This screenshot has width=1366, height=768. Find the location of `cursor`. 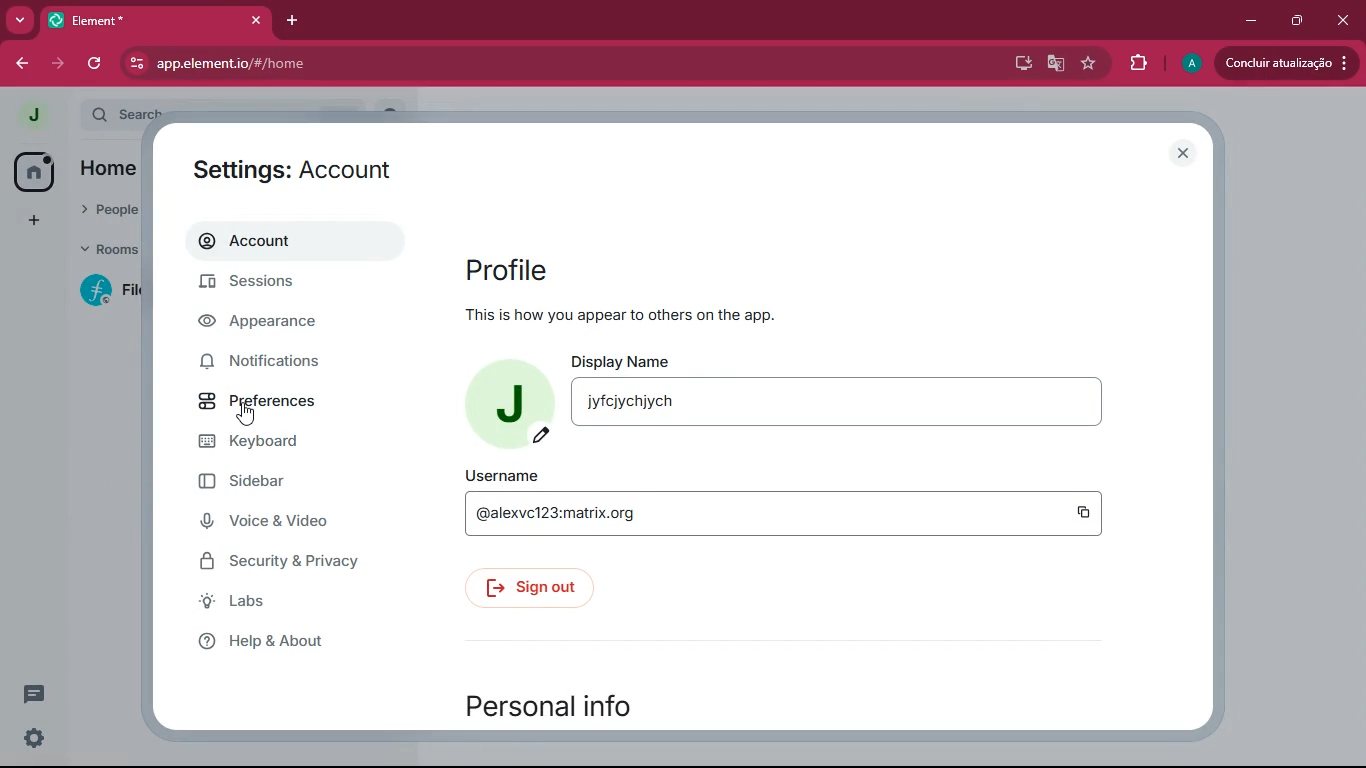

cursor is located at coordinates (246, 416).